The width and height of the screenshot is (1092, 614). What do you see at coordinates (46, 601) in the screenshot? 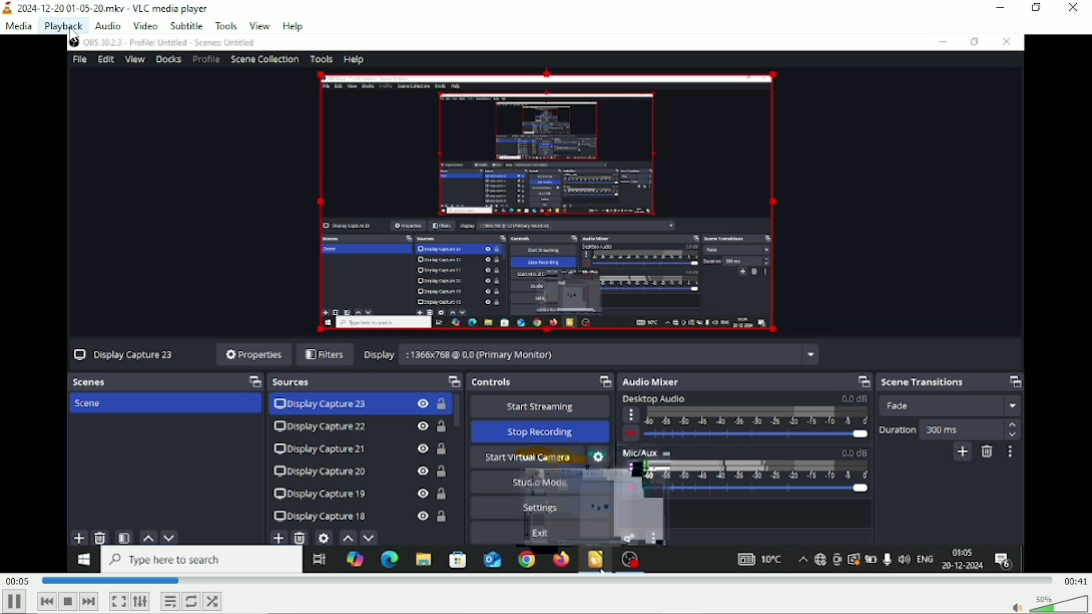
I see `Previous` at bounding box center [46, 601].